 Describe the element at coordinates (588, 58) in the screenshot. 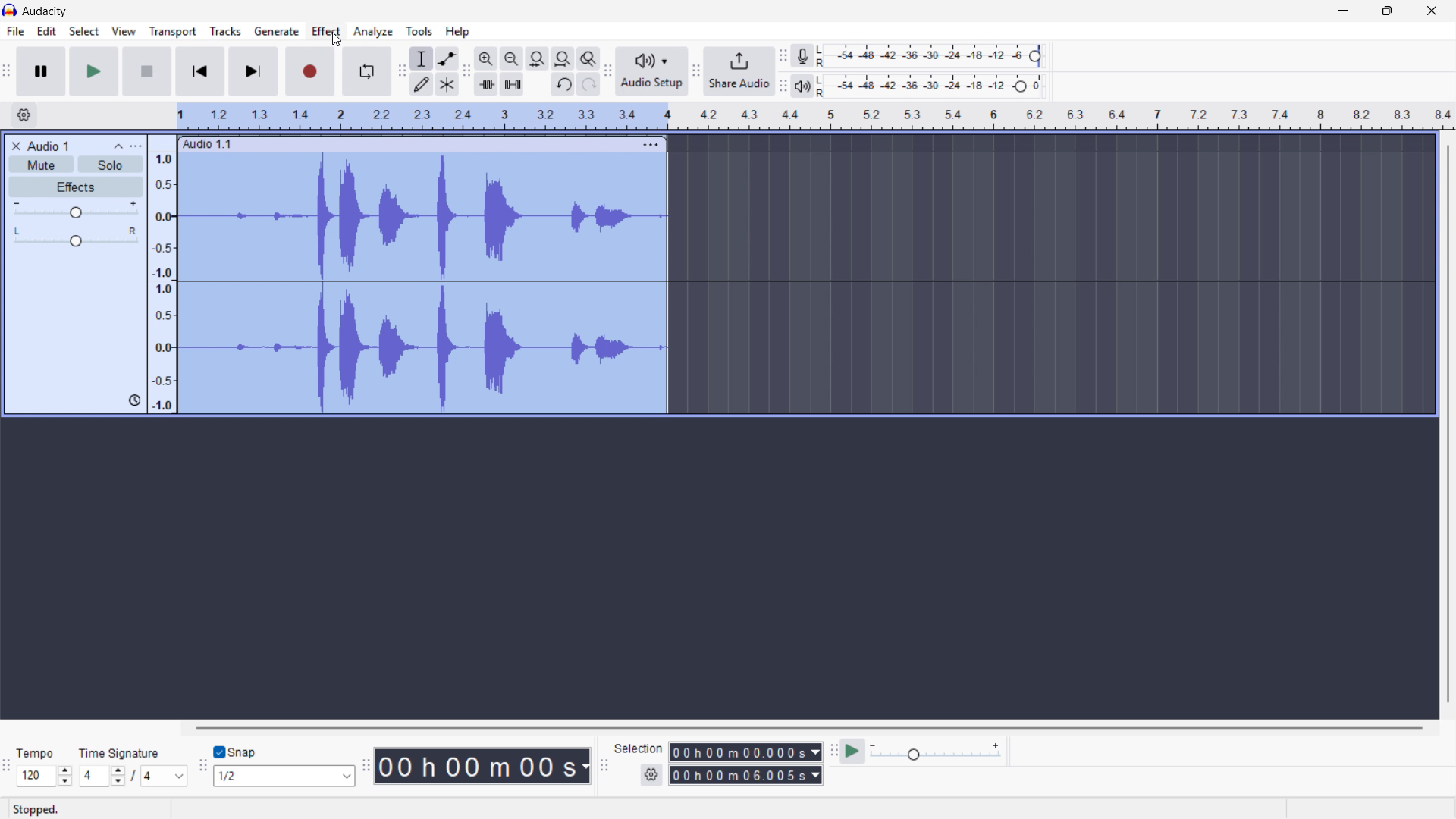

I see `toggle zoom` at that location.